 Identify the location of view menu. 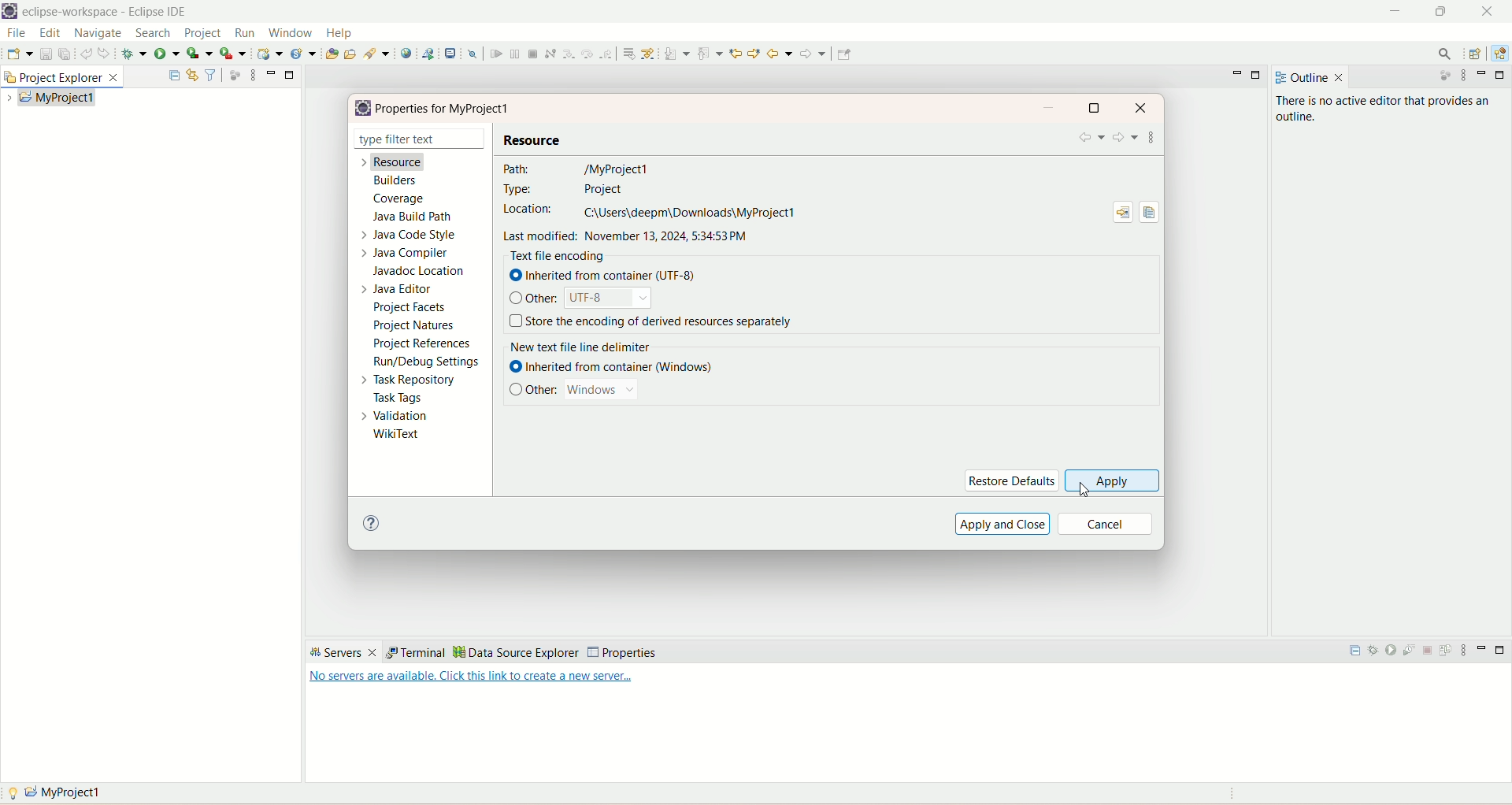
(1151, 139).